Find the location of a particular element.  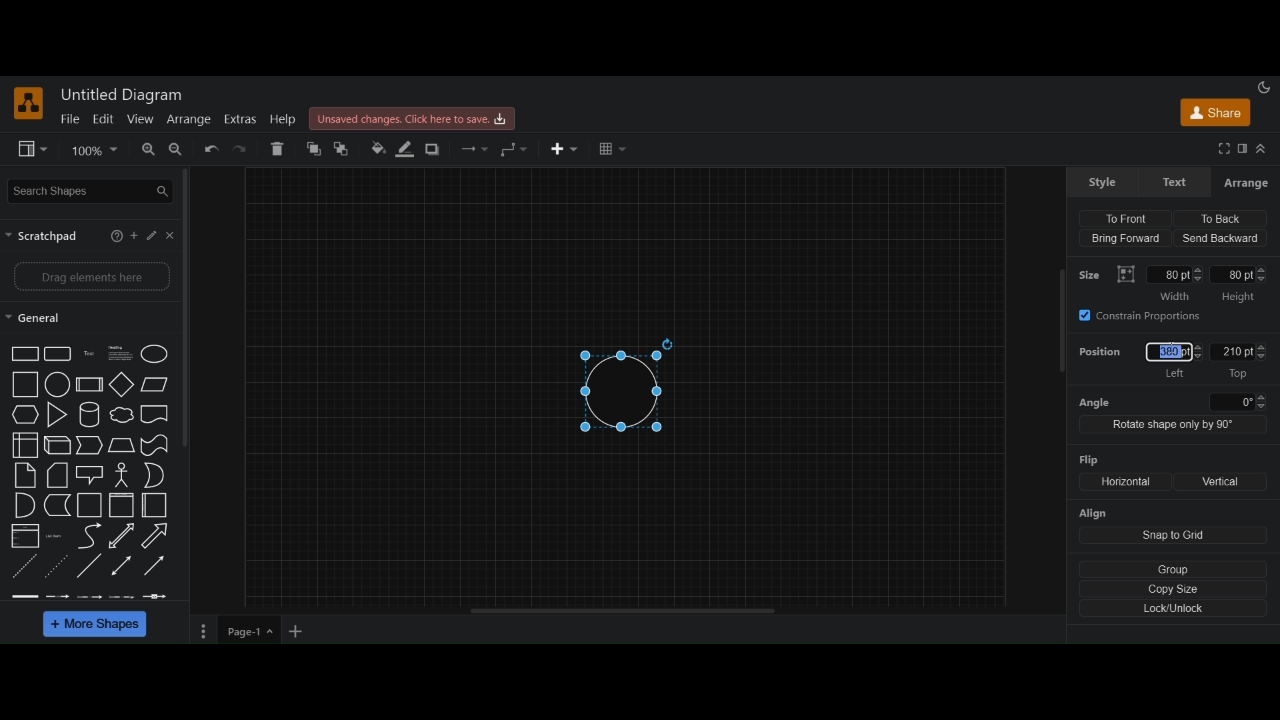

extras is located at coordinates (240, 120).